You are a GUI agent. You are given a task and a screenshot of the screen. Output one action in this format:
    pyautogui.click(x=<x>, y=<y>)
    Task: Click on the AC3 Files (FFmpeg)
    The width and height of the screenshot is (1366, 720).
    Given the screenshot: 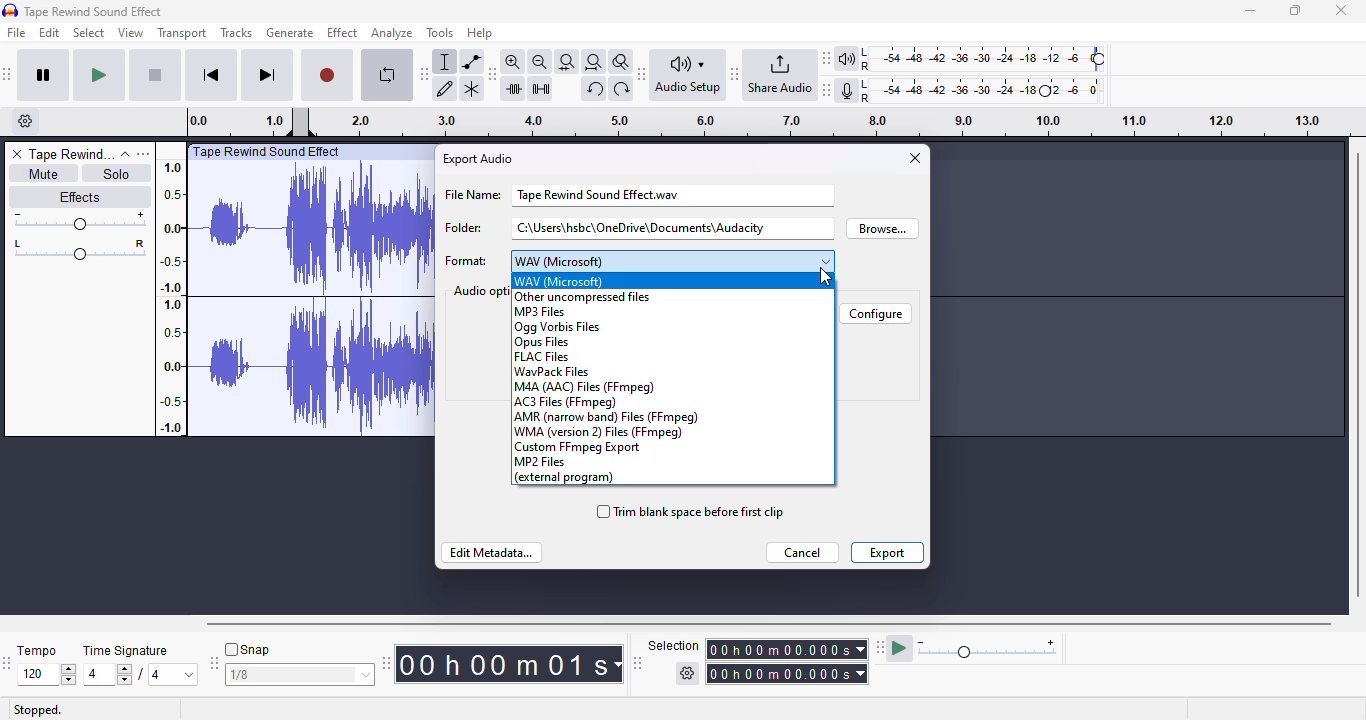 What is the action you would take?
    pyautogui.click(x=566, y=403)
    